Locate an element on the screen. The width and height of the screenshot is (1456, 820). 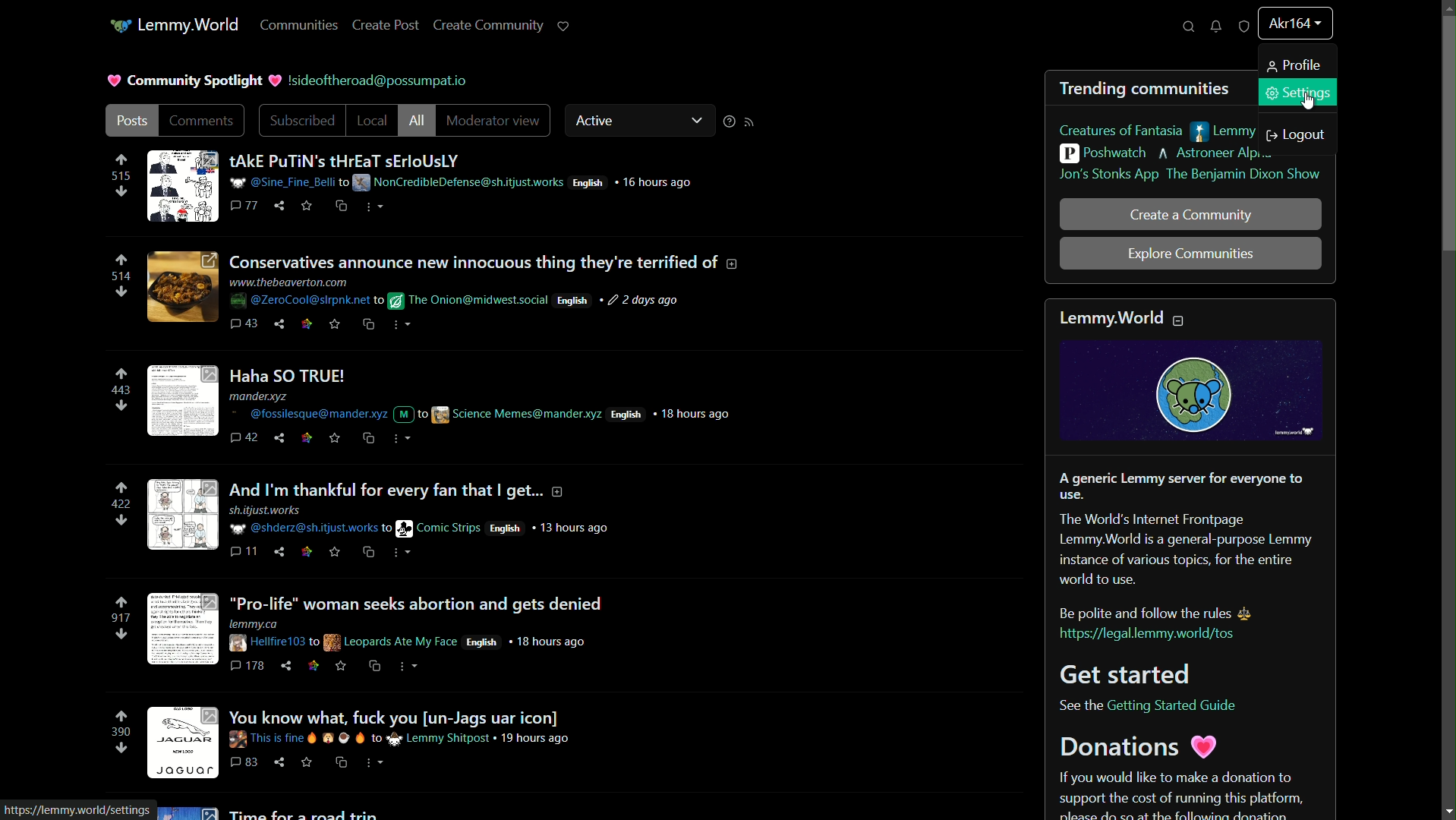
posts is located at coordinates (131, 121).